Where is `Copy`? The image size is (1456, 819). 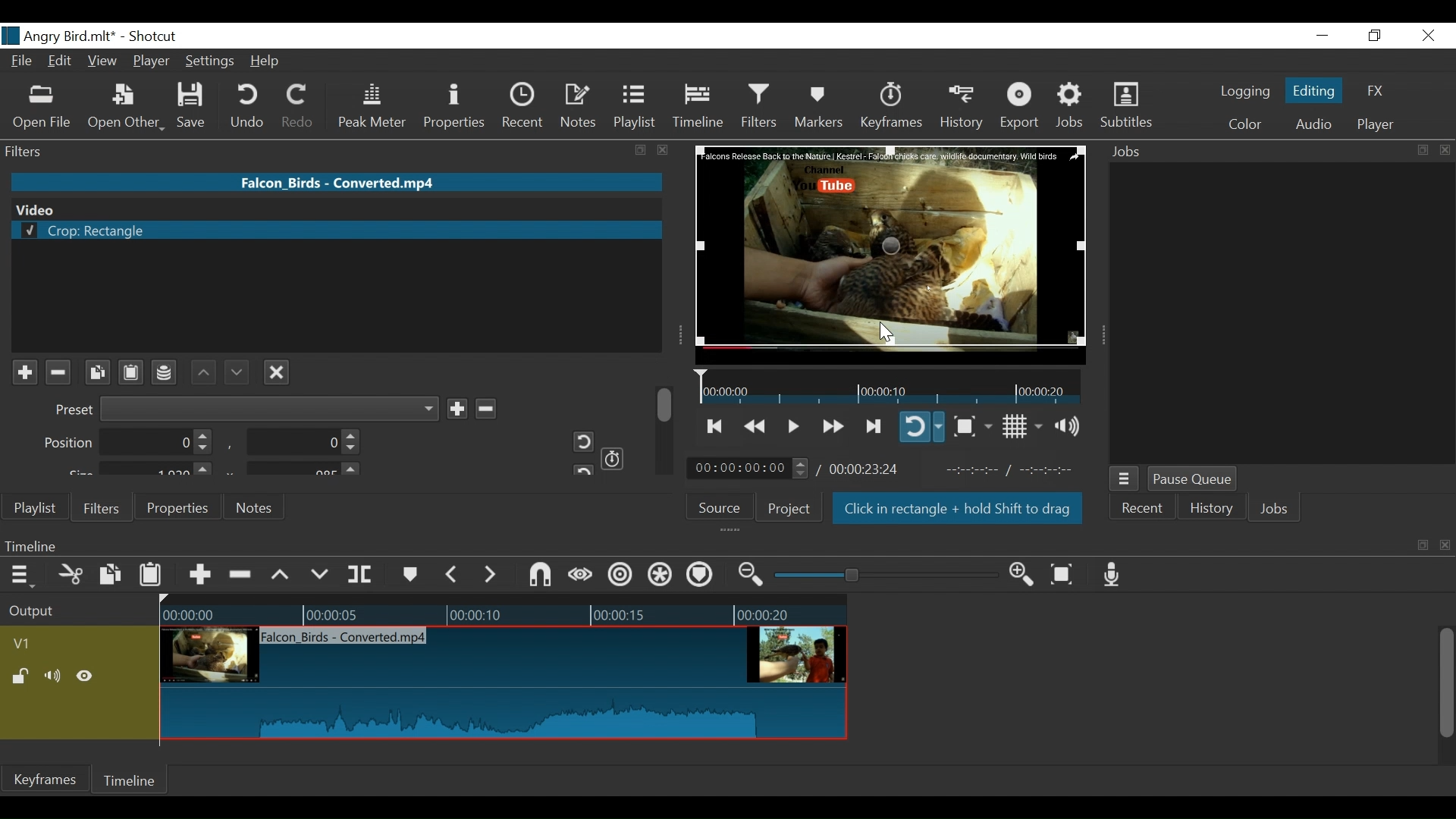 Copy is located at coordinates (112, 577).